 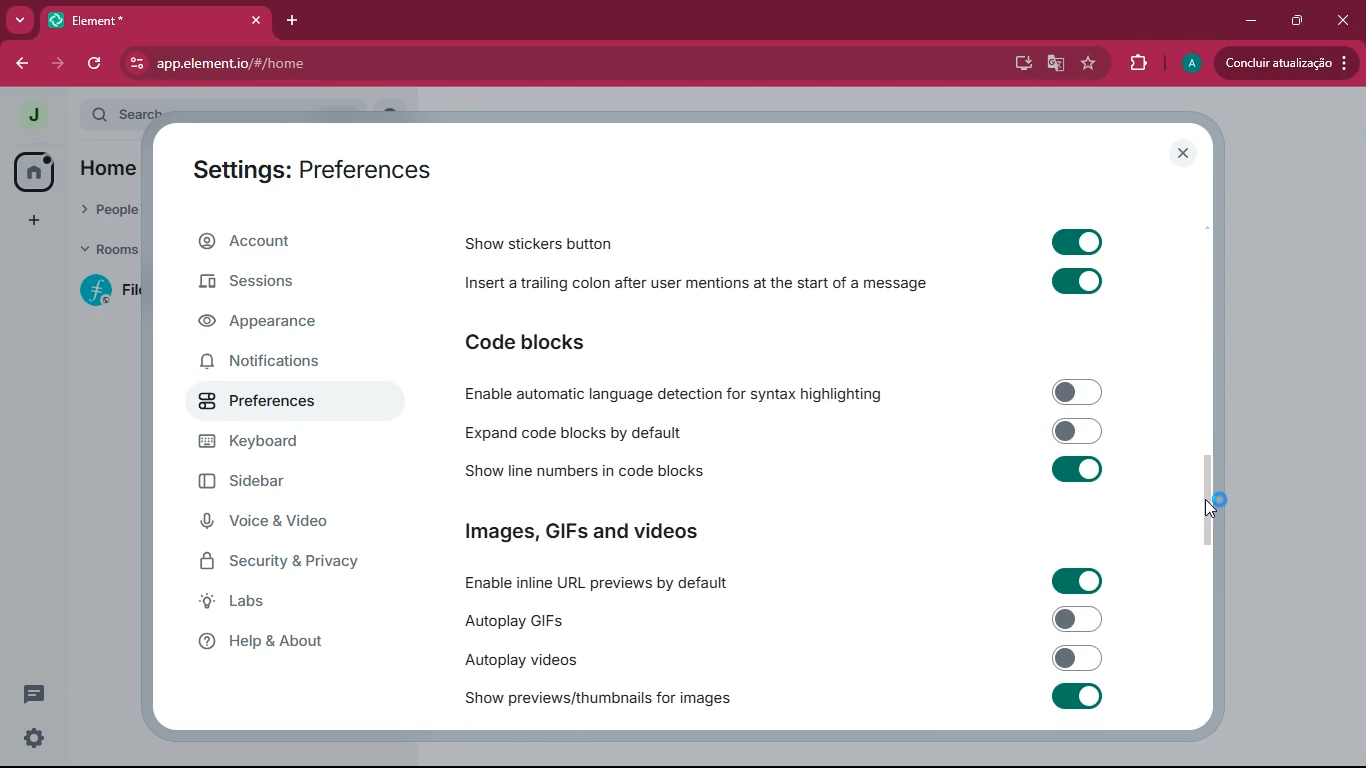 I want to click on app.element.io/#/home, so click(x=406, y=65).